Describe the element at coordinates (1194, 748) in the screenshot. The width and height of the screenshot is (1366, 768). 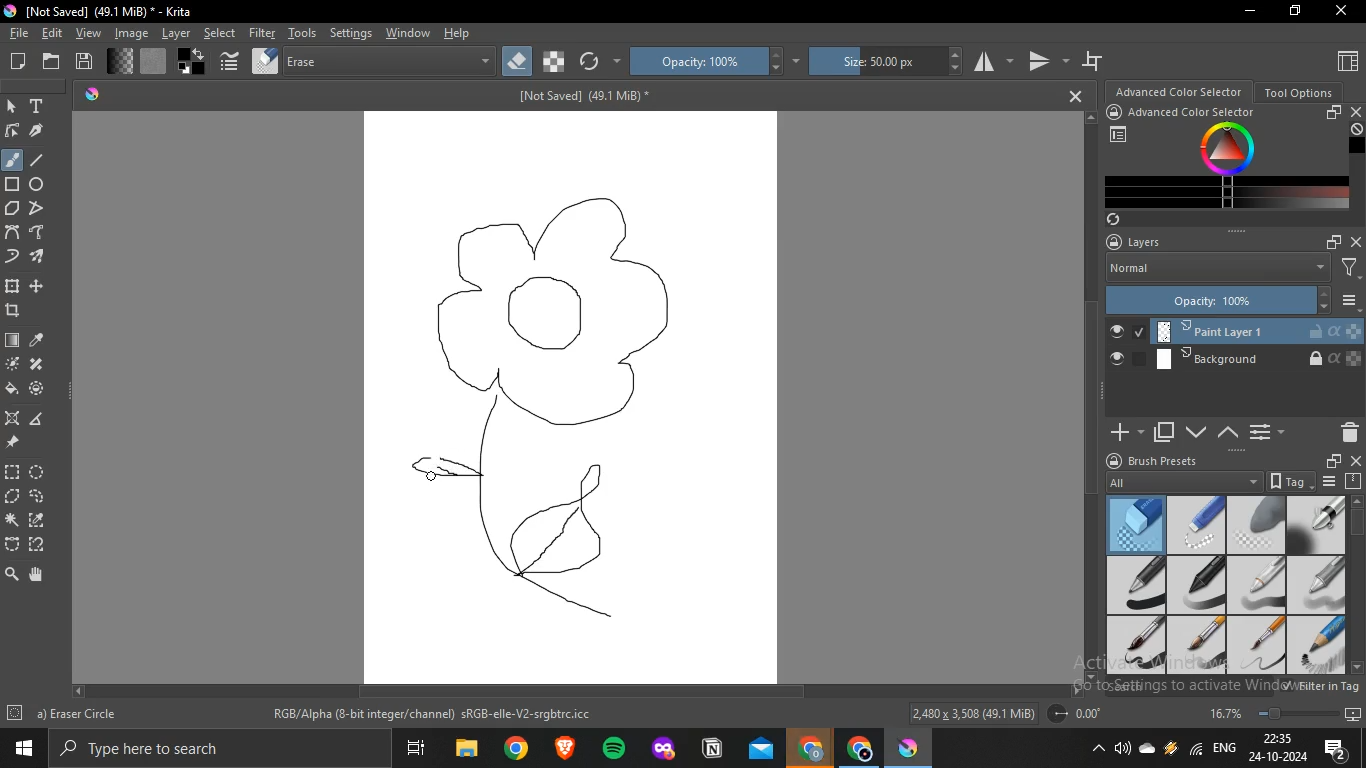
I see `Network` at that location.